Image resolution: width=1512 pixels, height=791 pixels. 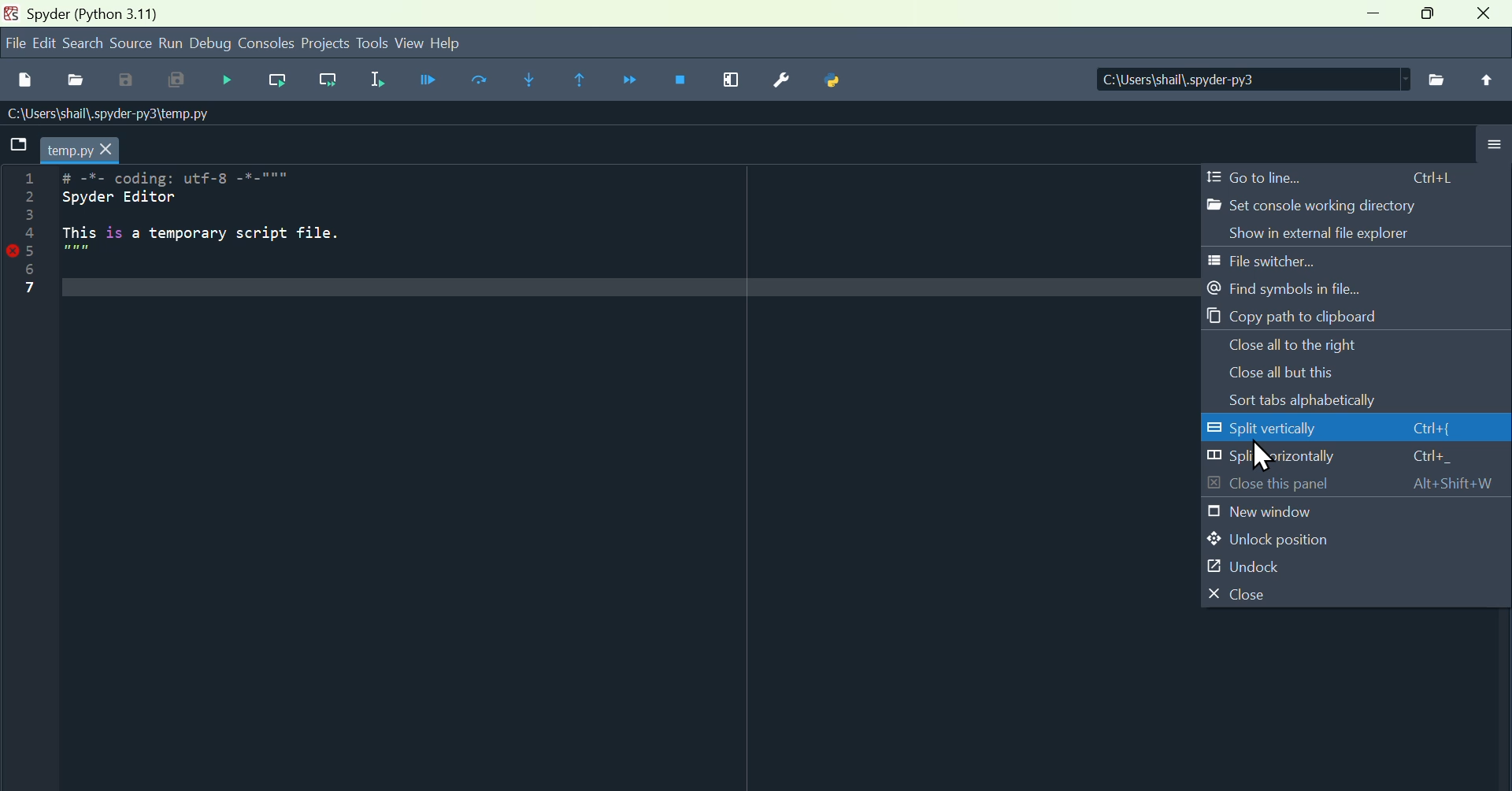 I want to click on folder, so click(x=21, y=149).